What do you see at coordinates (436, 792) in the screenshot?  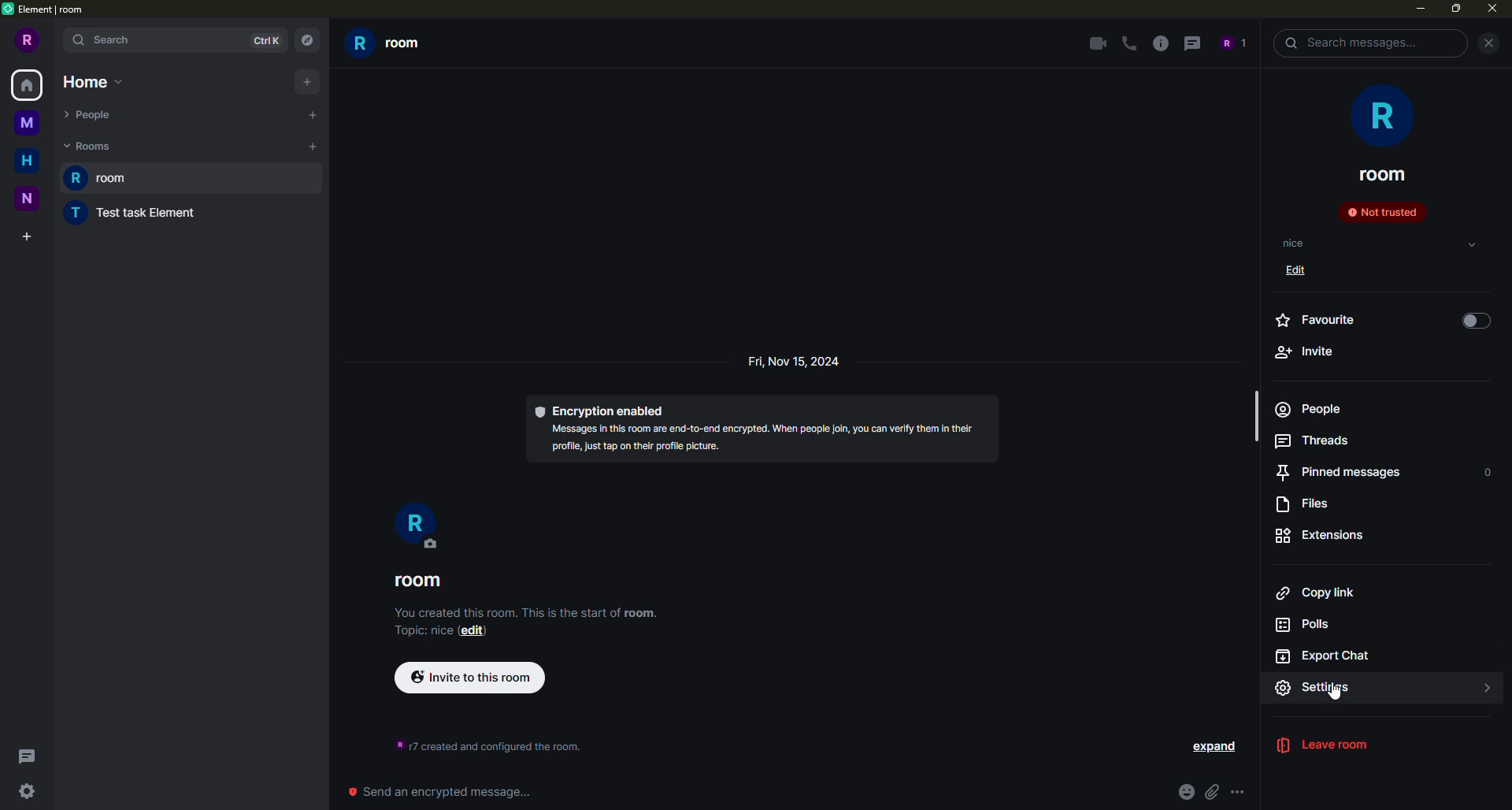 I see `send an encrypted message` at bounding box center [436, 792].